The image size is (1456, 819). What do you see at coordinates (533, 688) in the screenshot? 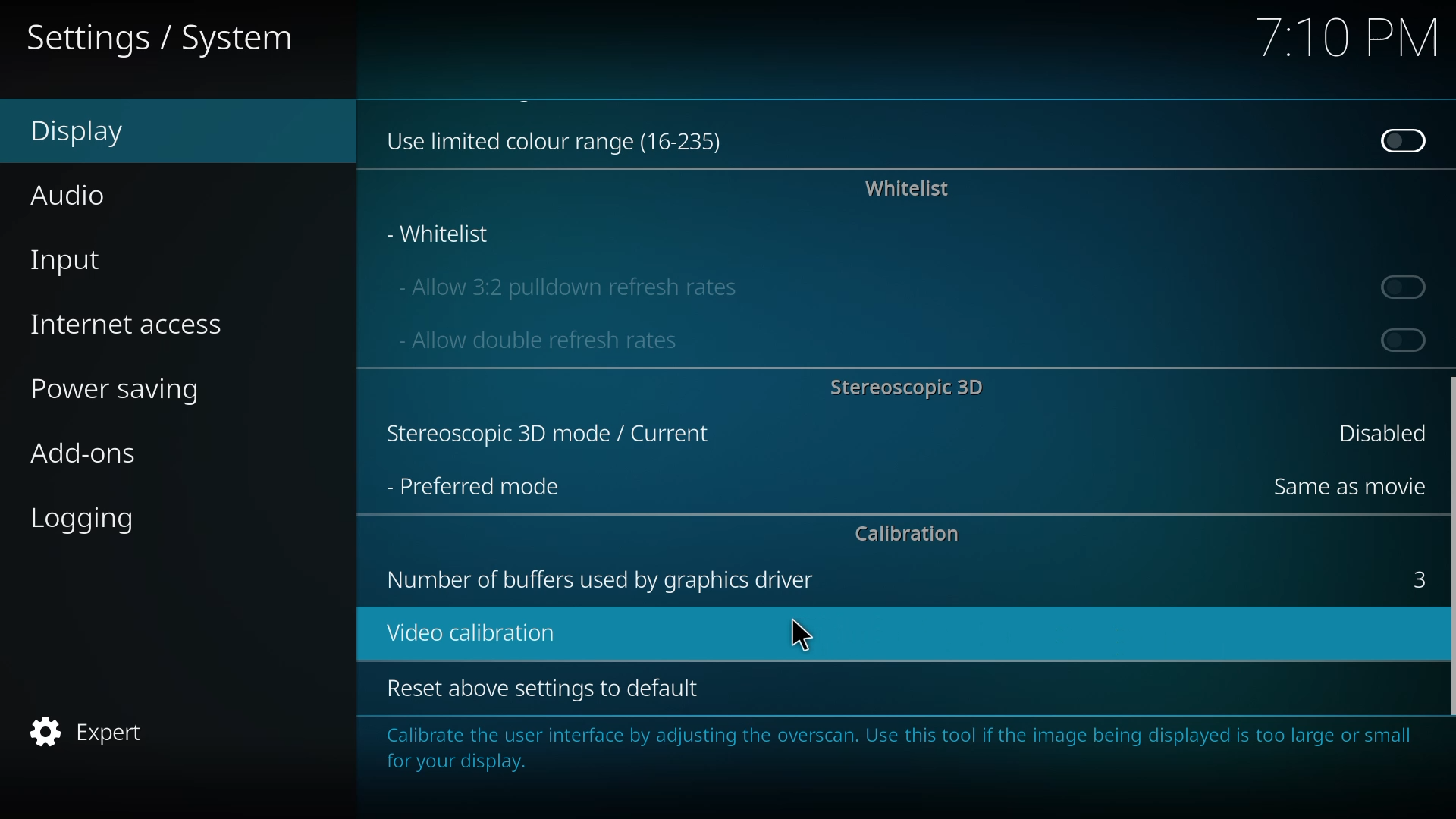
I see `reset` at bounding box center [533, 688].